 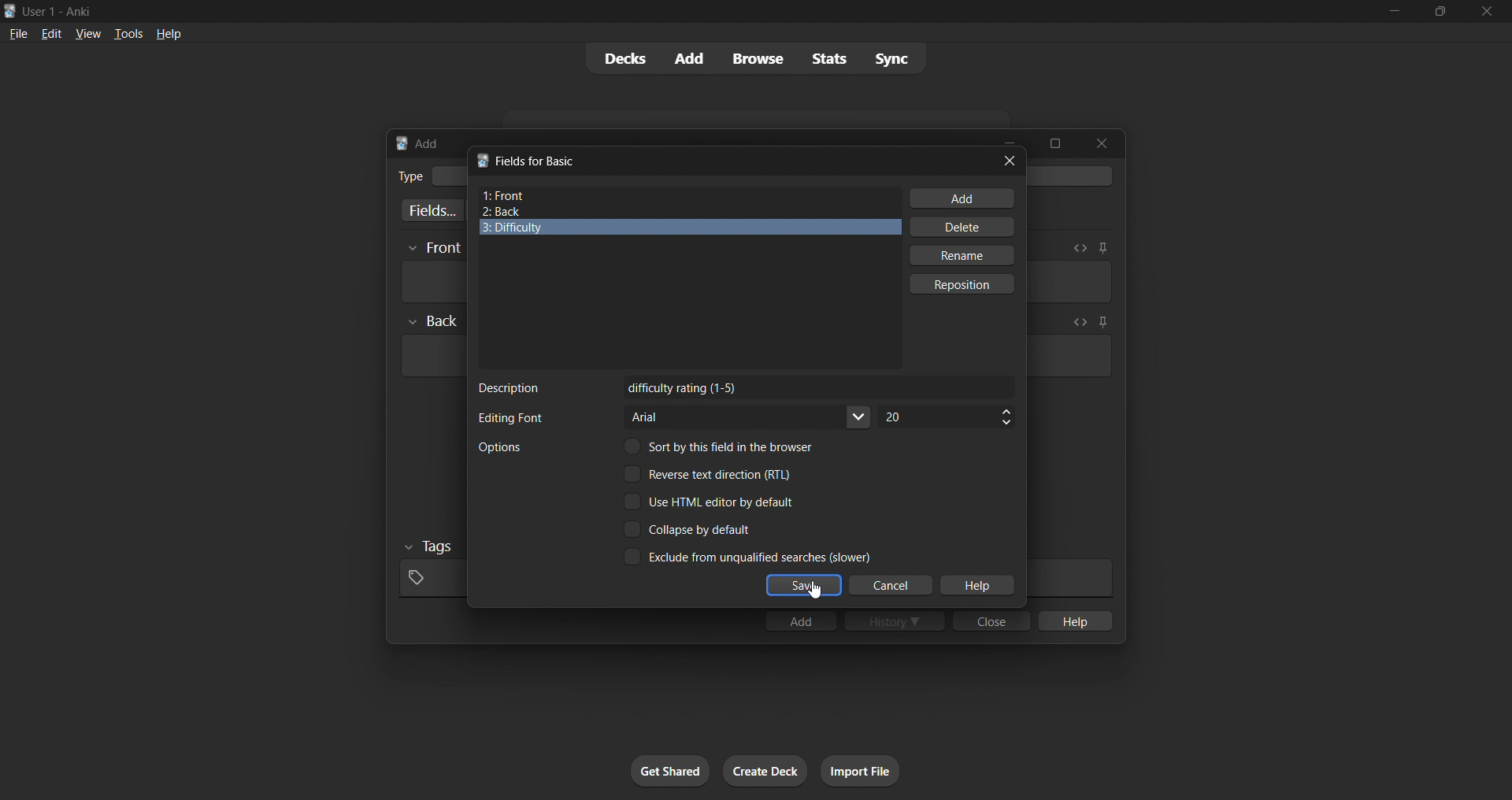 I want to click on close, so click(x=1102, y=143).